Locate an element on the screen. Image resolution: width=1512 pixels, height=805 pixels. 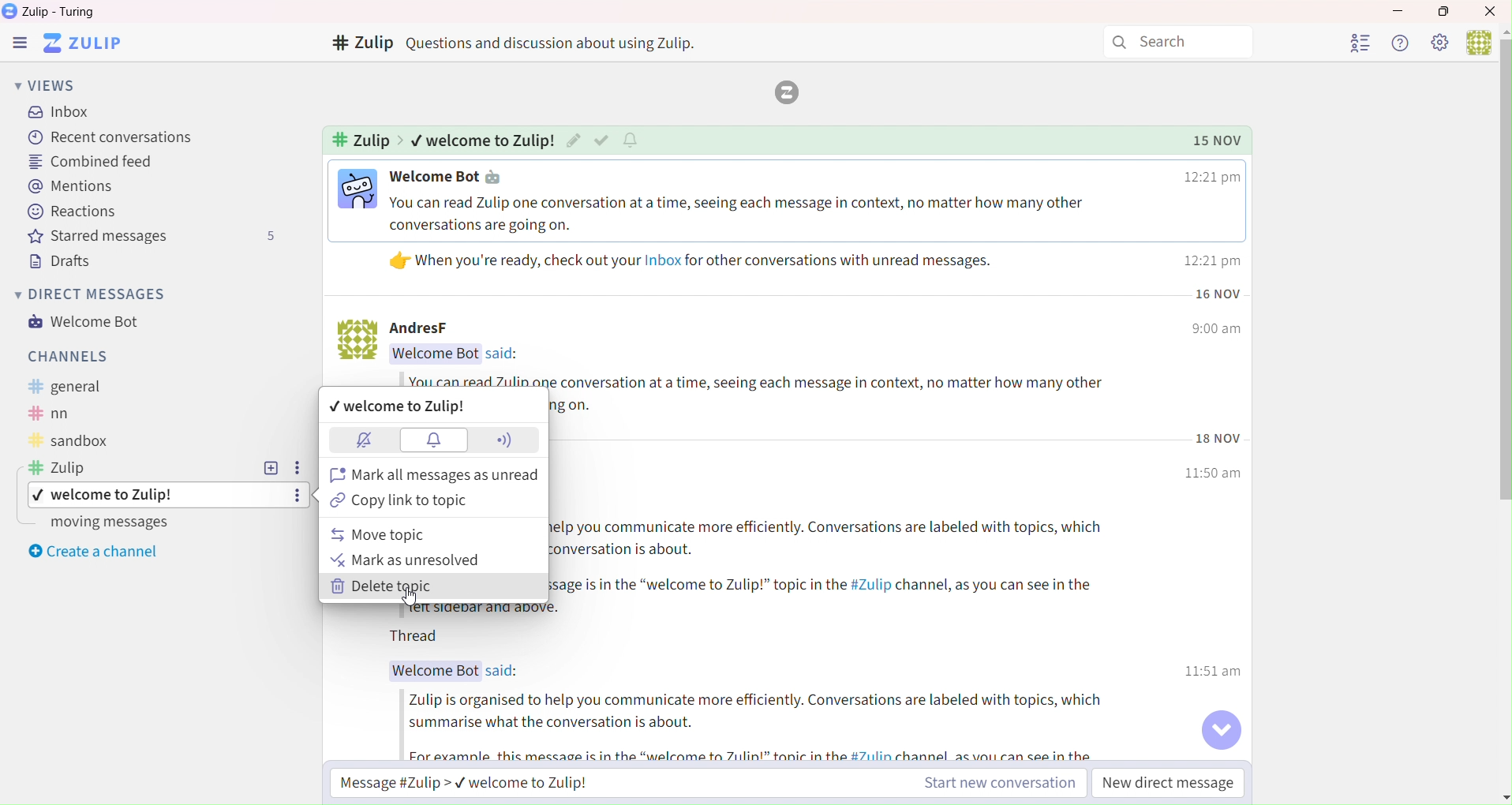
Channels is located at coordinates (364, 43).